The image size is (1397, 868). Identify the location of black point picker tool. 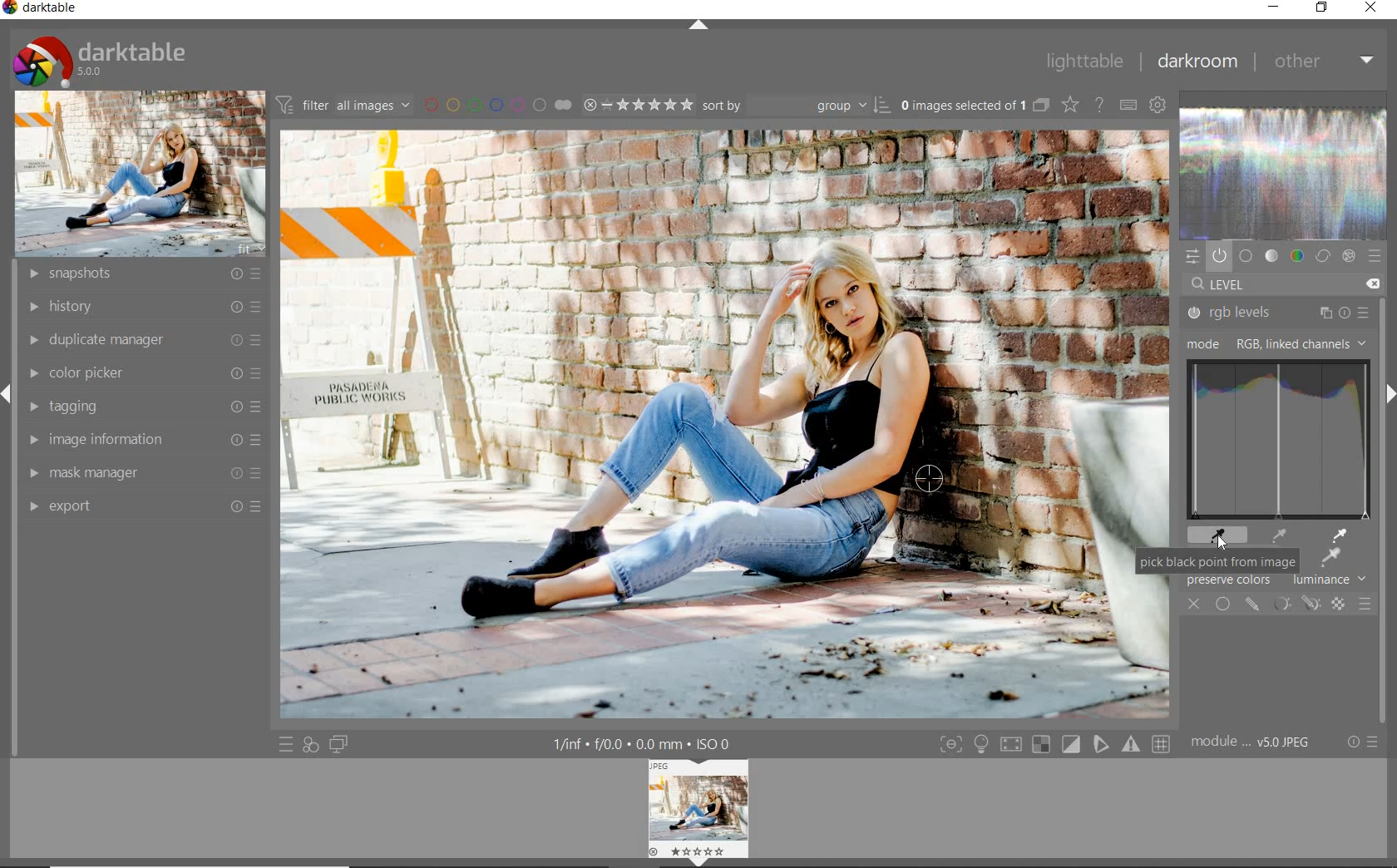
(1222, 535).